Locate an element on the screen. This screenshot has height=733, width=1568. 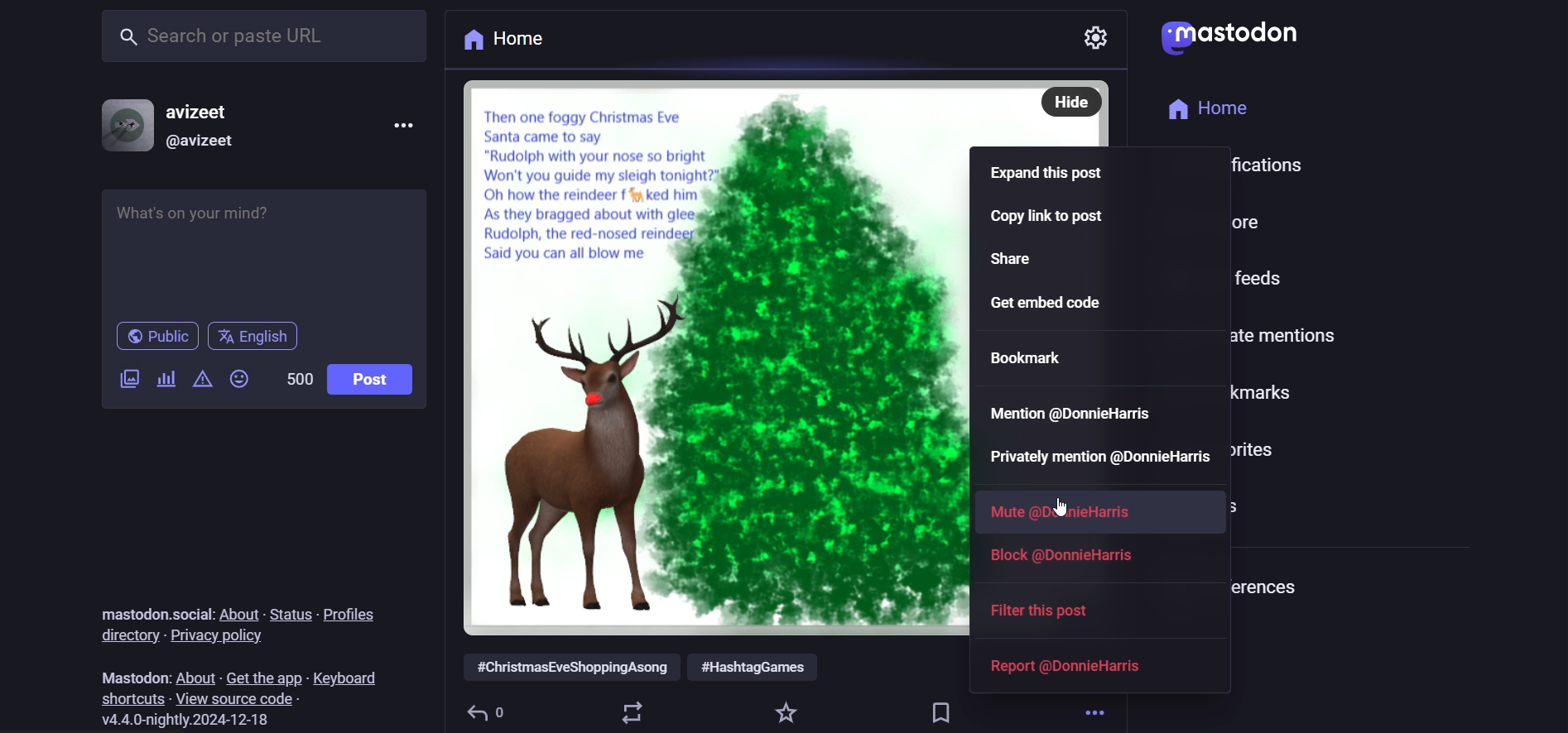
copy link to post is located at coordinates (1051, 218).